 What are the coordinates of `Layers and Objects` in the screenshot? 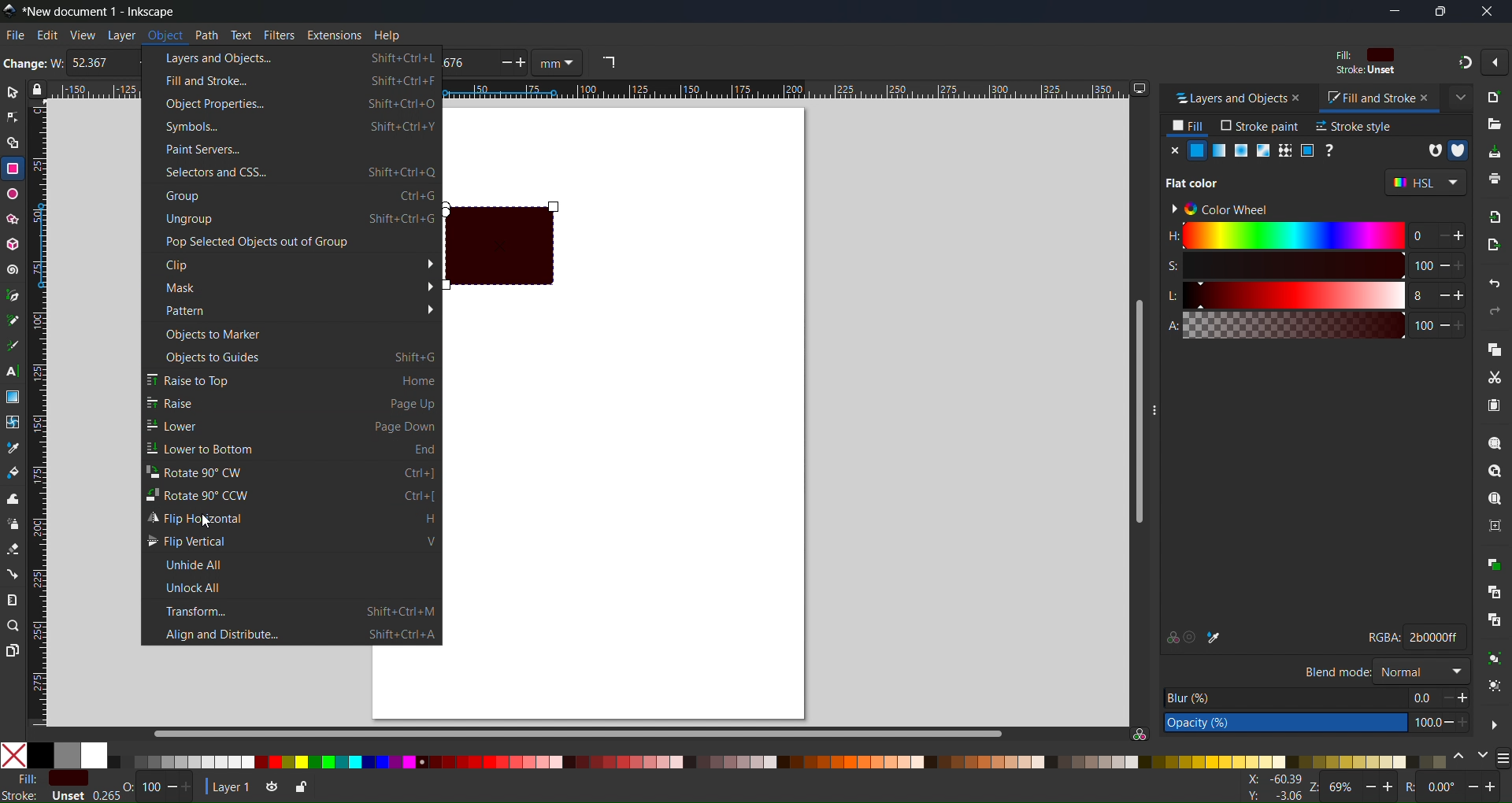 It's located at (292, 57).